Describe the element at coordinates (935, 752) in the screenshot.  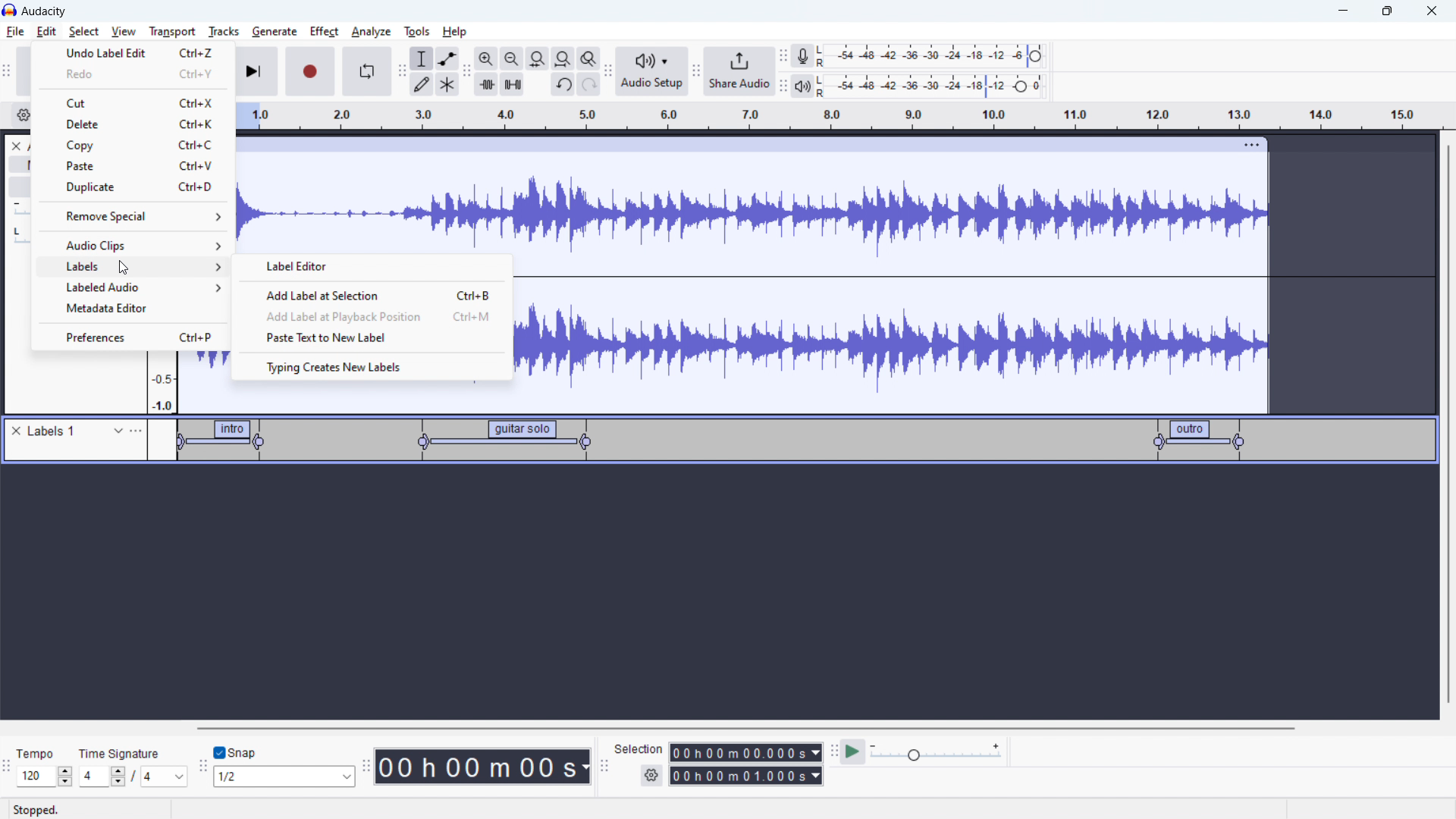
I see `playback speed` at that location.